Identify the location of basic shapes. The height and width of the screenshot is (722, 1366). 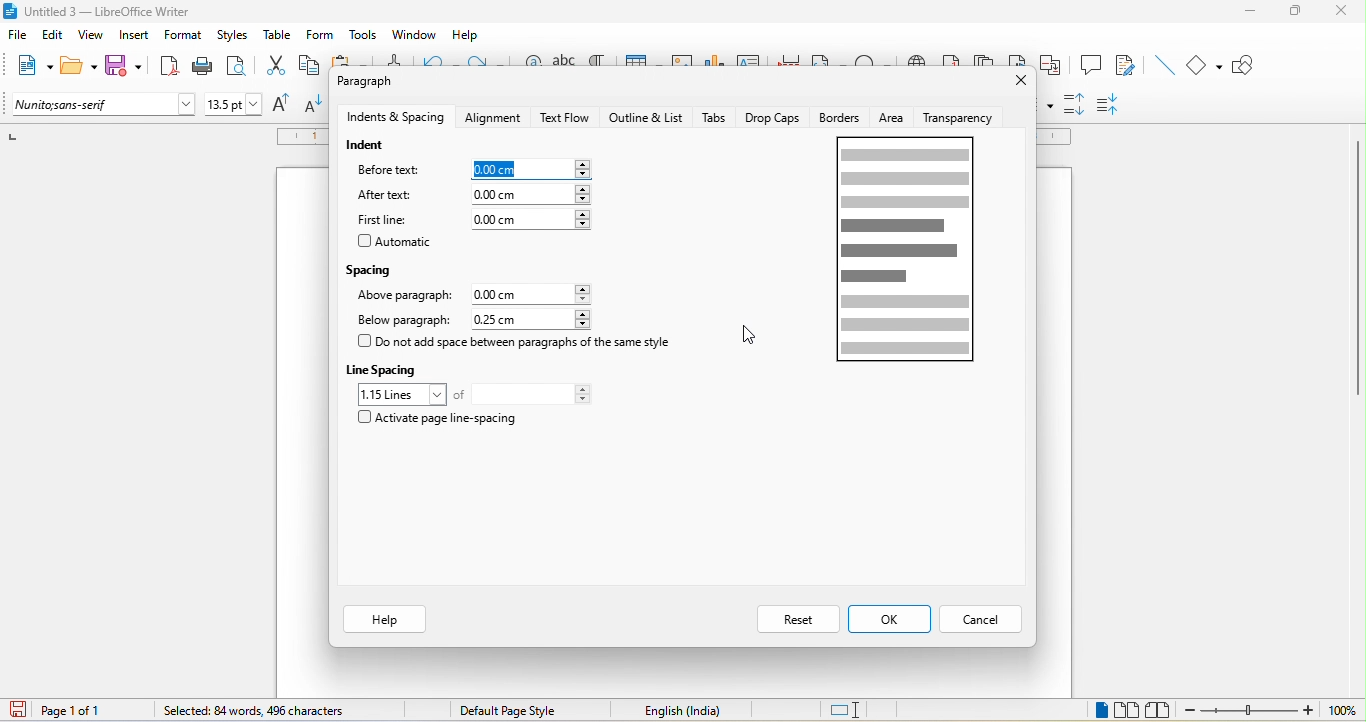
(1206, 66).